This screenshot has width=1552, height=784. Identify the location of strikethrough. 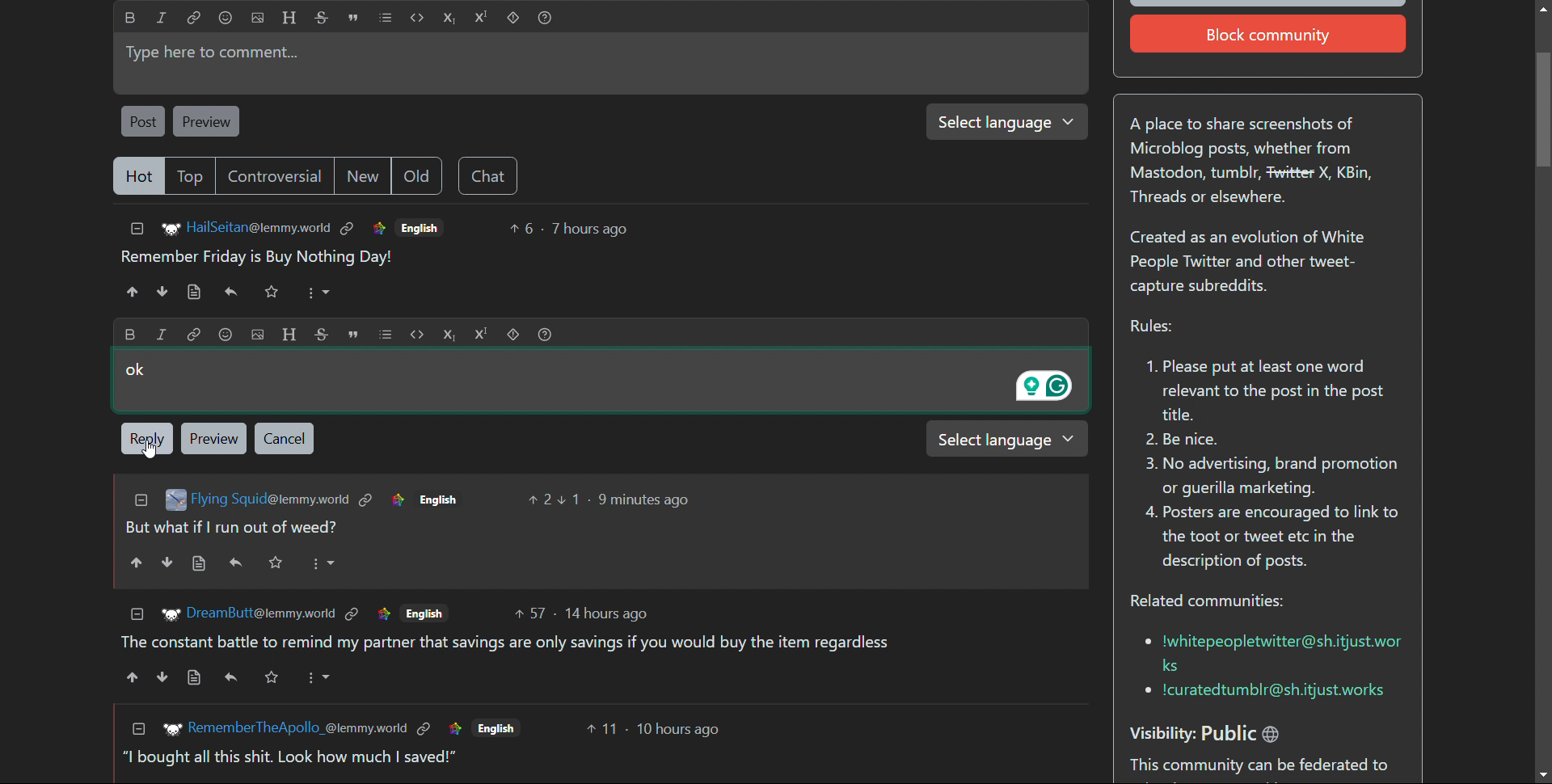
(323, 17).